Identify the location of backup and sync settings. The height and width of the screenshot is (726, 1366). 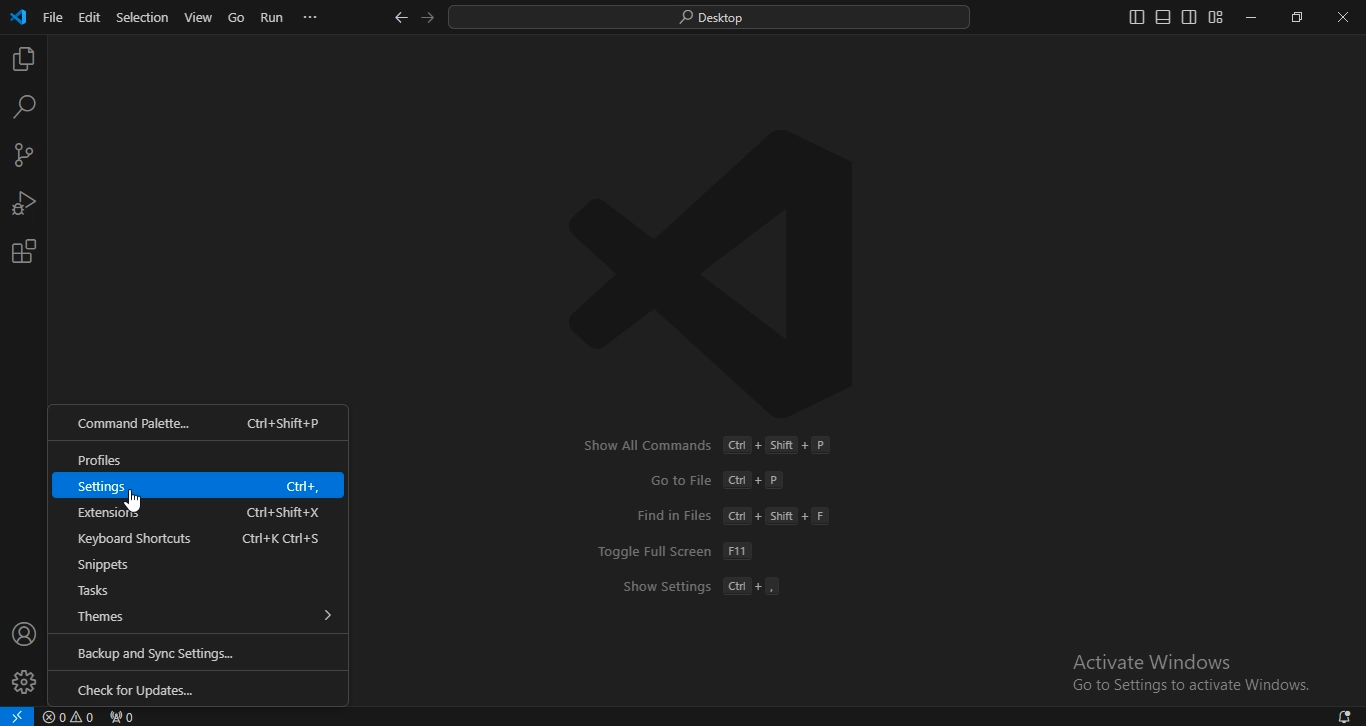
(168, 655).